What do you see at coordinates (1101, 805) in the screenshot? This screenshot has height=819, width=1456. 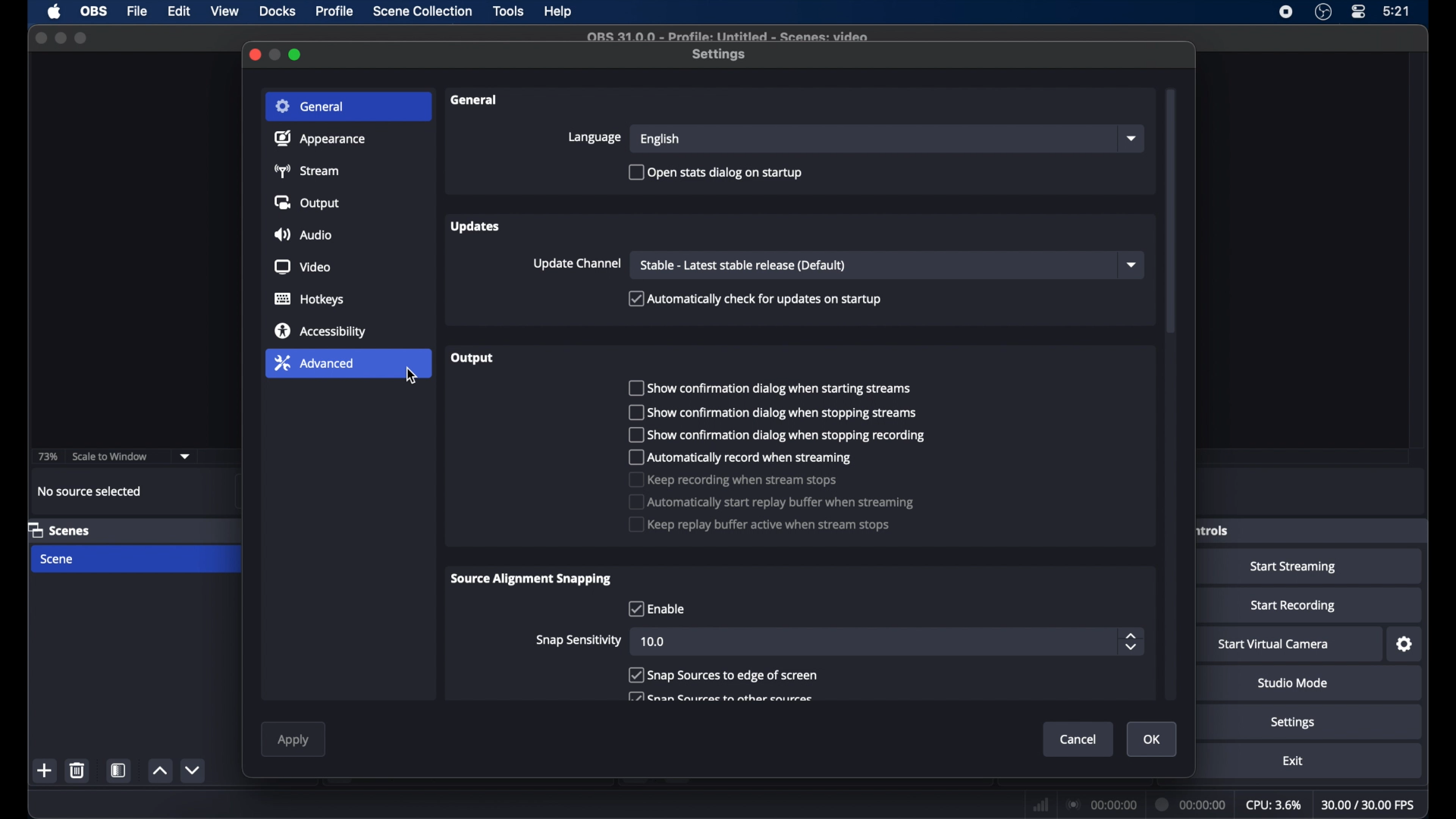 I see `connection` at bounding box center [1101, 805].